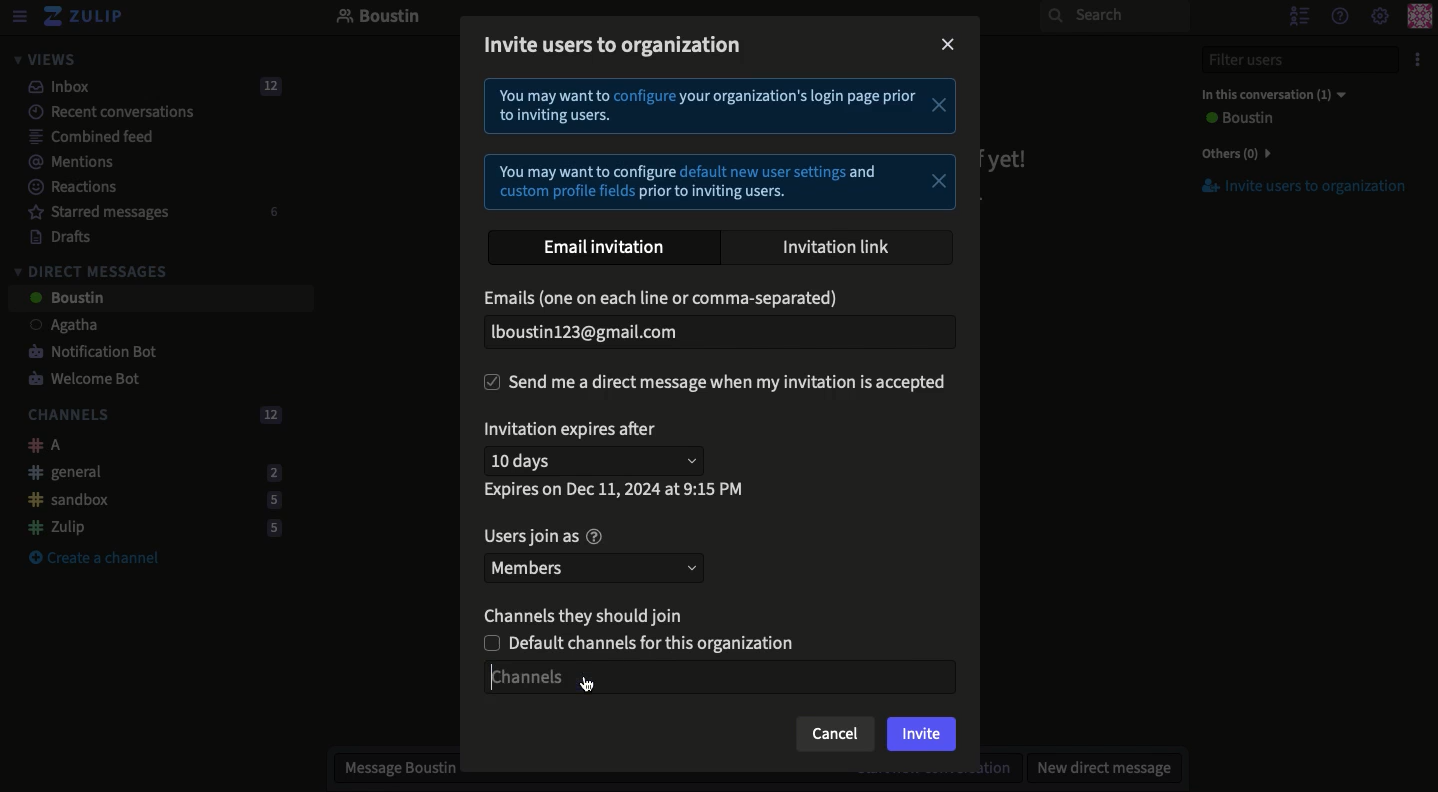  I want to click on Mentions, so click(64, 162).